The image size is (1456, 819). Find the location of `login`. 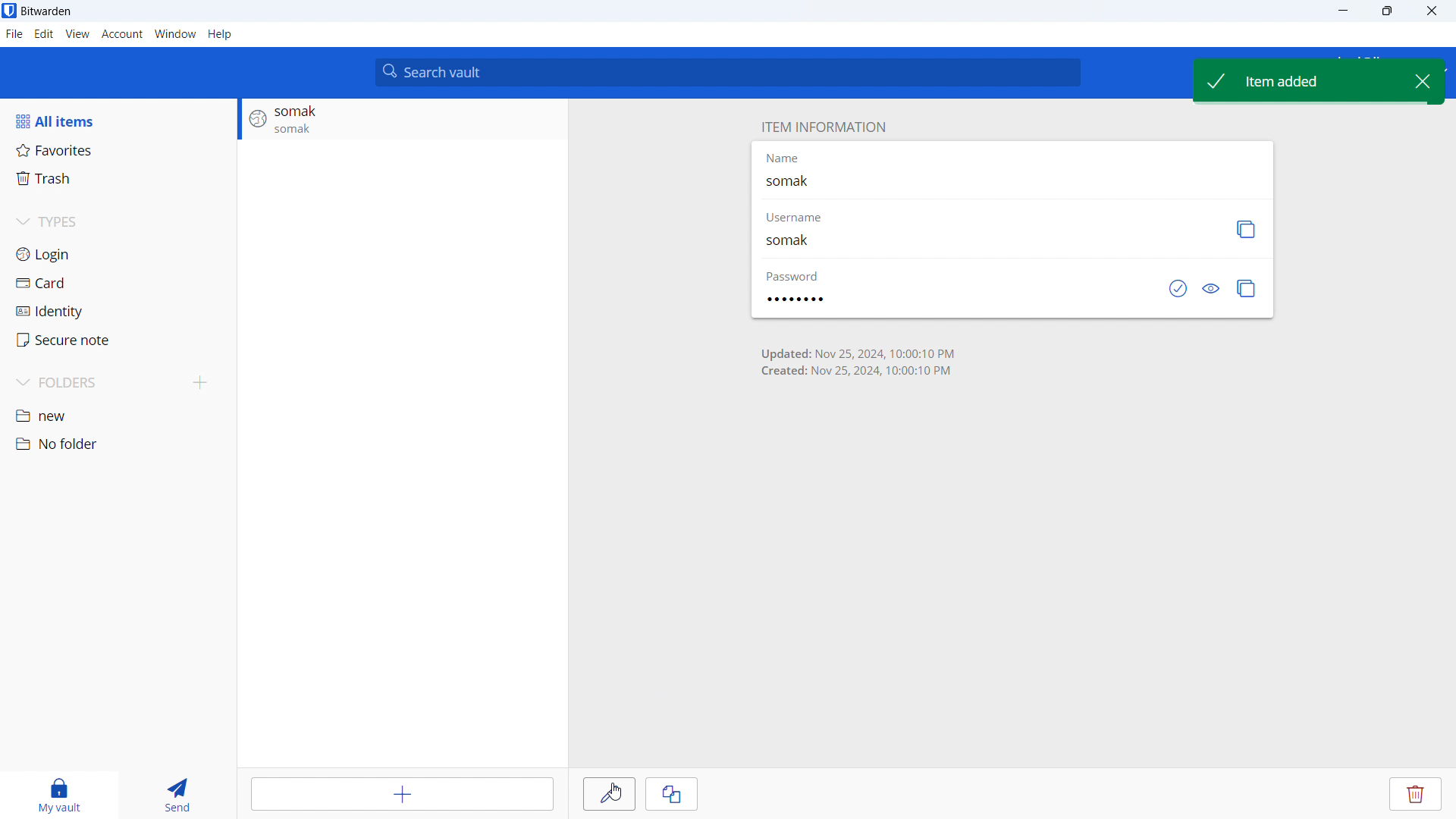

login is located at coordinates (118, 254).